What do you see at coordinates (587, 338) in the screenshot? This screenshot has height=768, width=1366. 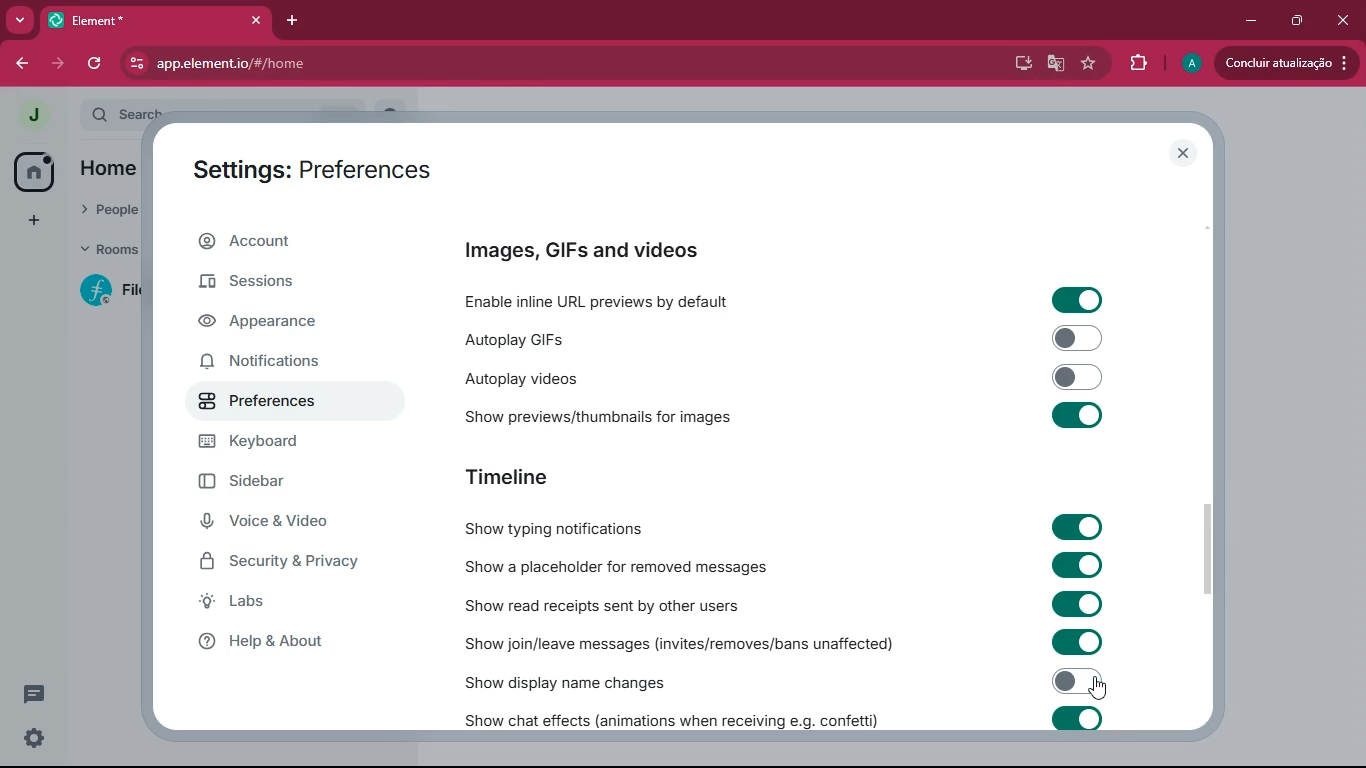 I see `autoplay gifs` at bounding box center [587, 338].